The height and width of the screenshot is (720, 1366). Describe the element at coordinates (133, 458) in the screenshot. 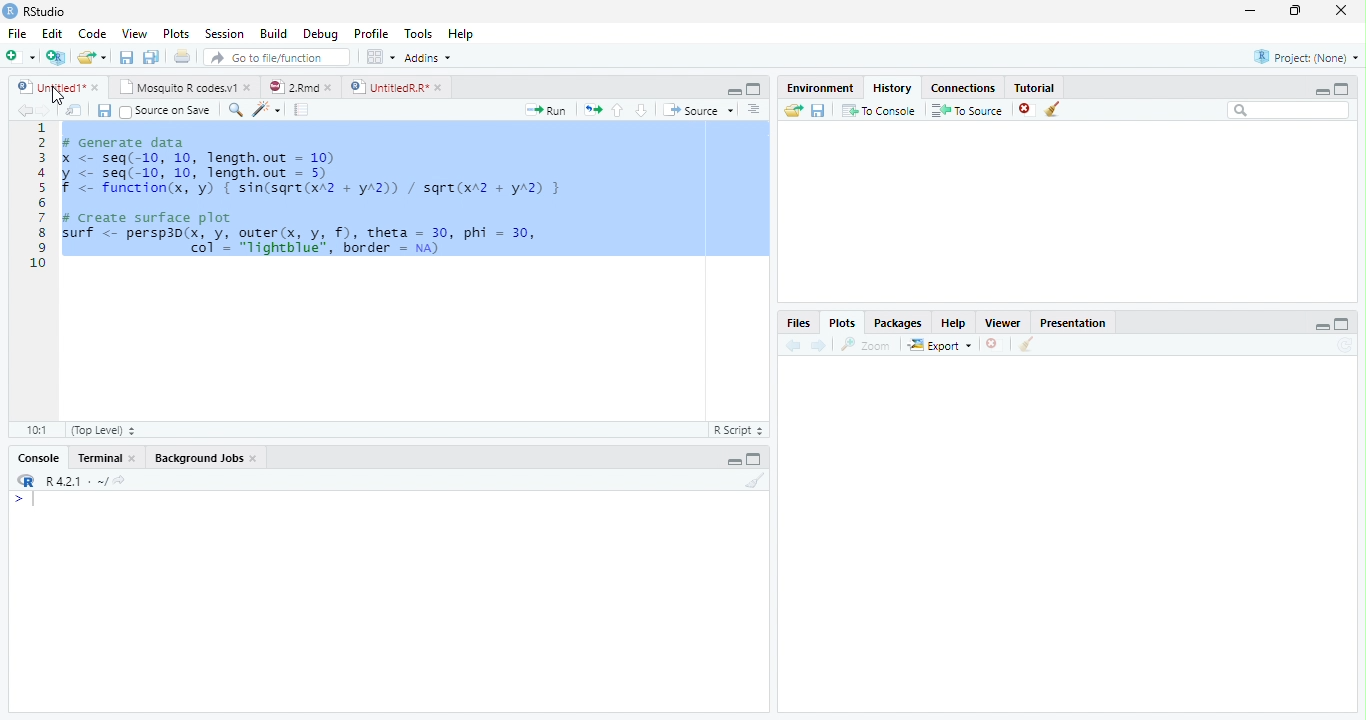

I see `Close` at that location.